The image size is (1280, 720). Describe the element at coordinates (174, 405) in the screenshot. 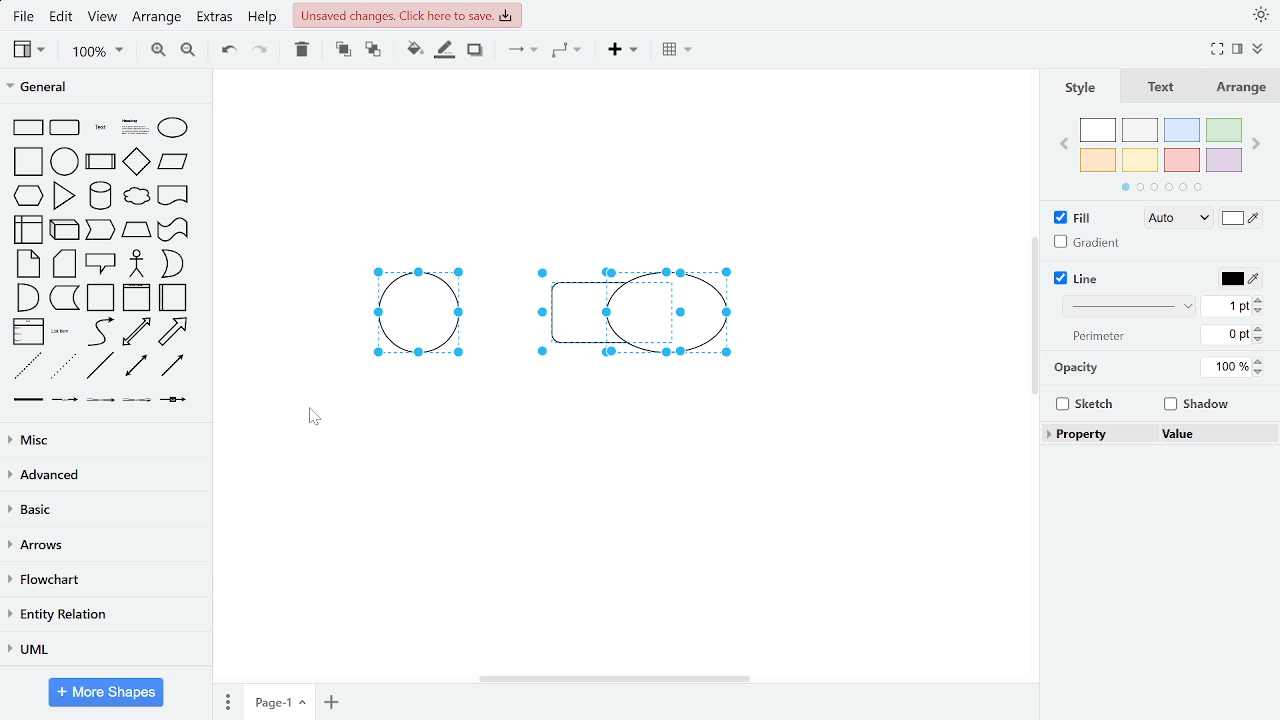

I see `Connector with symbol` at that location.